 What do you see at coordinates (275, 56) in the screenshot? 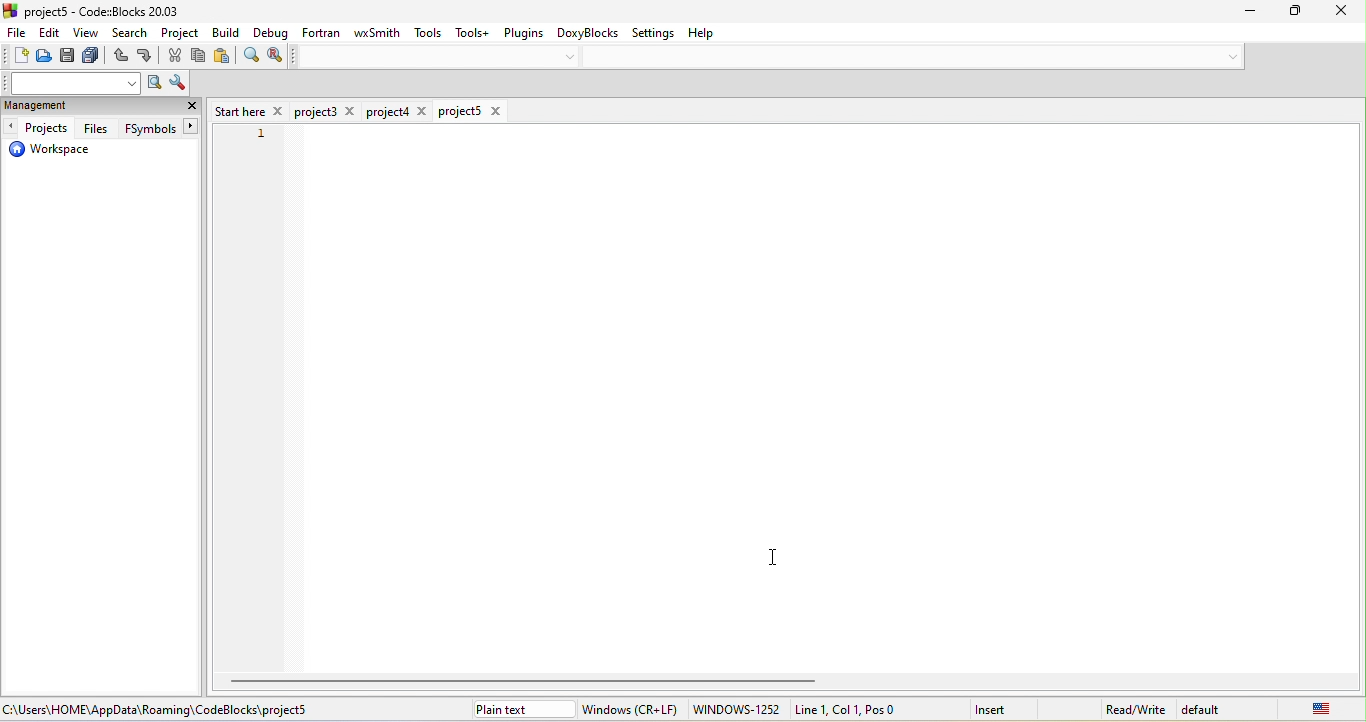
I see `replace` at bounding box center [275, 56].